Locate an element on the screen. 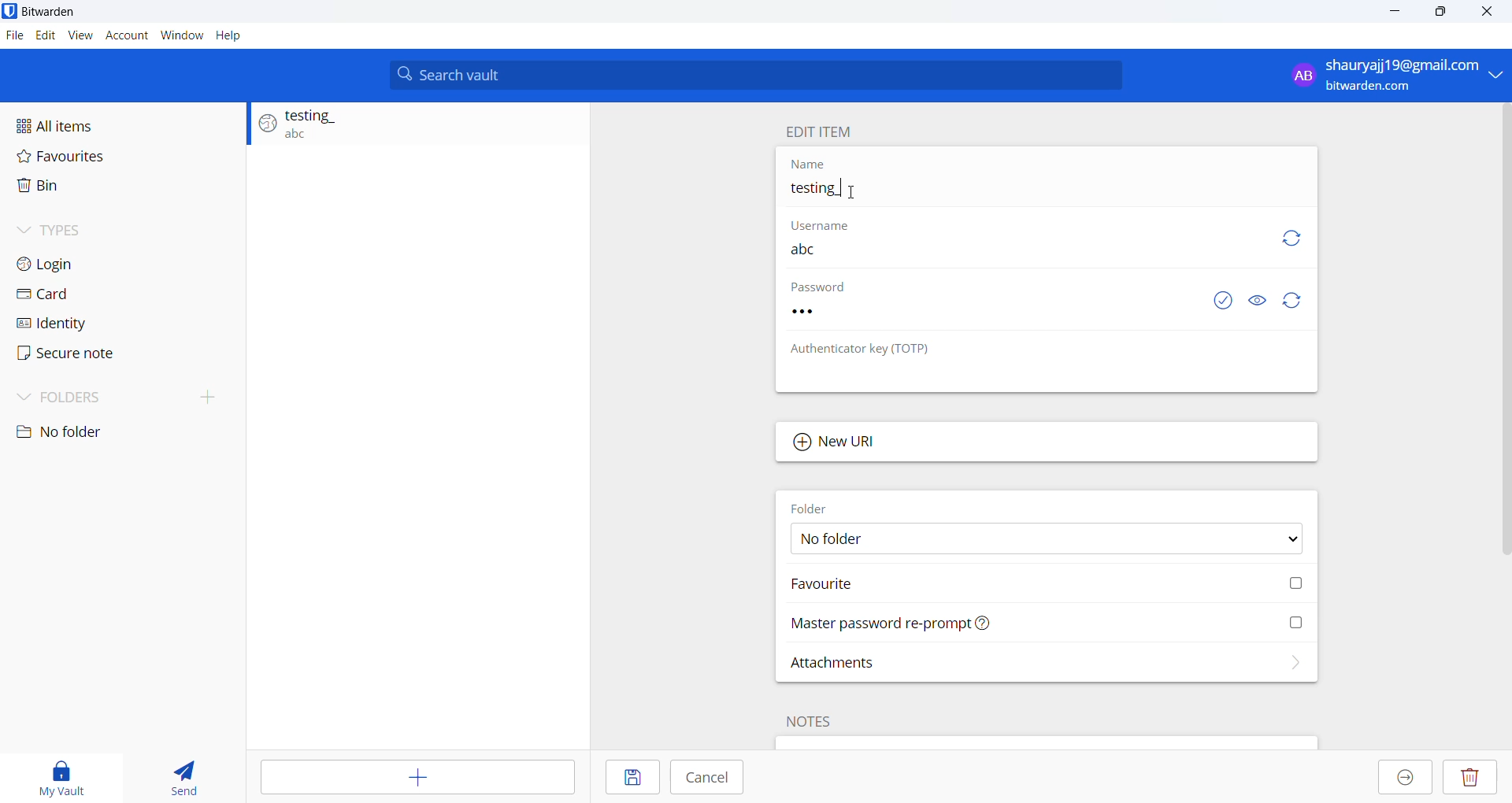  check password exposed is located at coordinates (1214, 303).